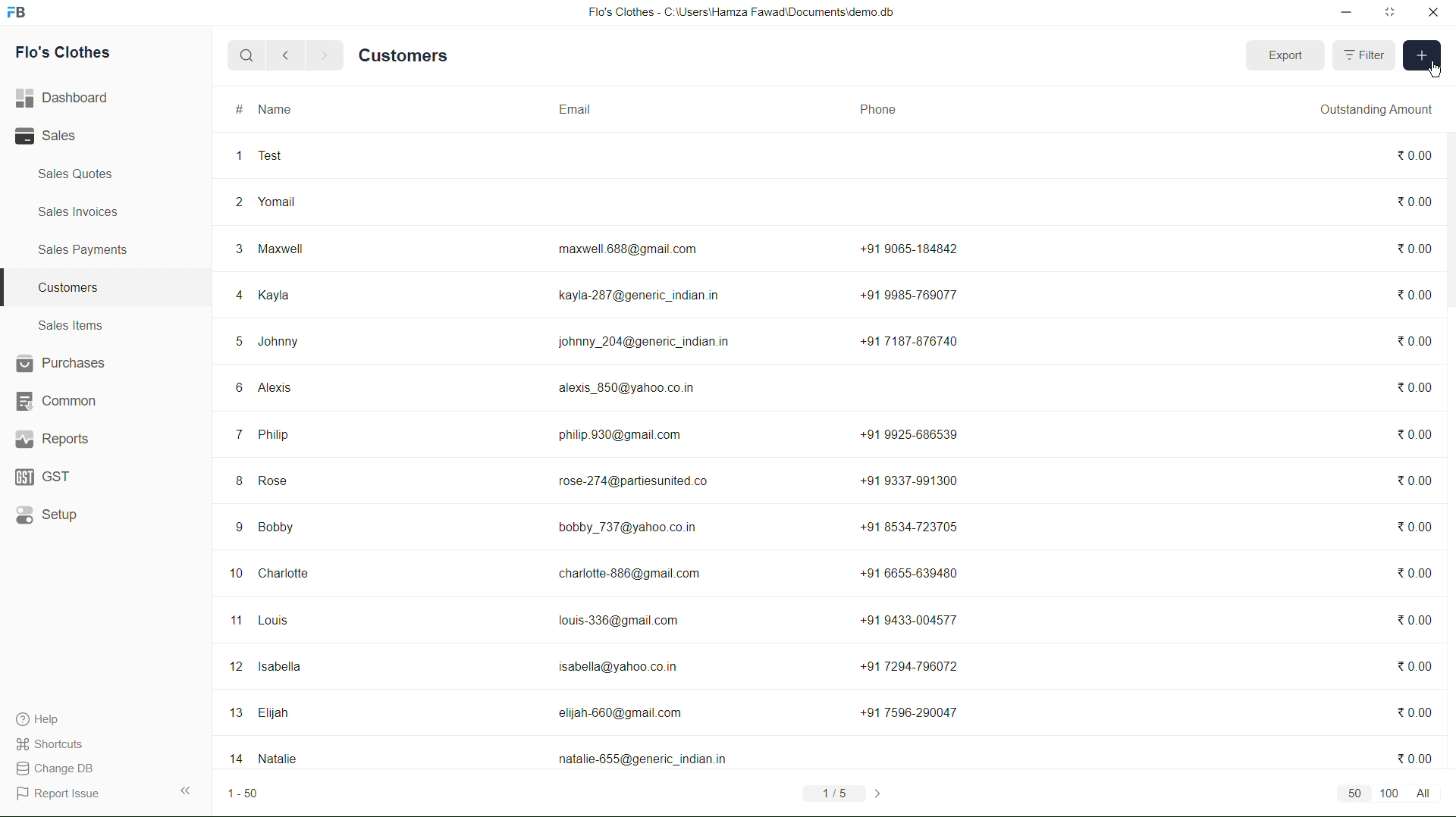 The width and height of the screenshot is (1456, 817). I want to click on isabella@yahoo.co.in, so click(616, 665).